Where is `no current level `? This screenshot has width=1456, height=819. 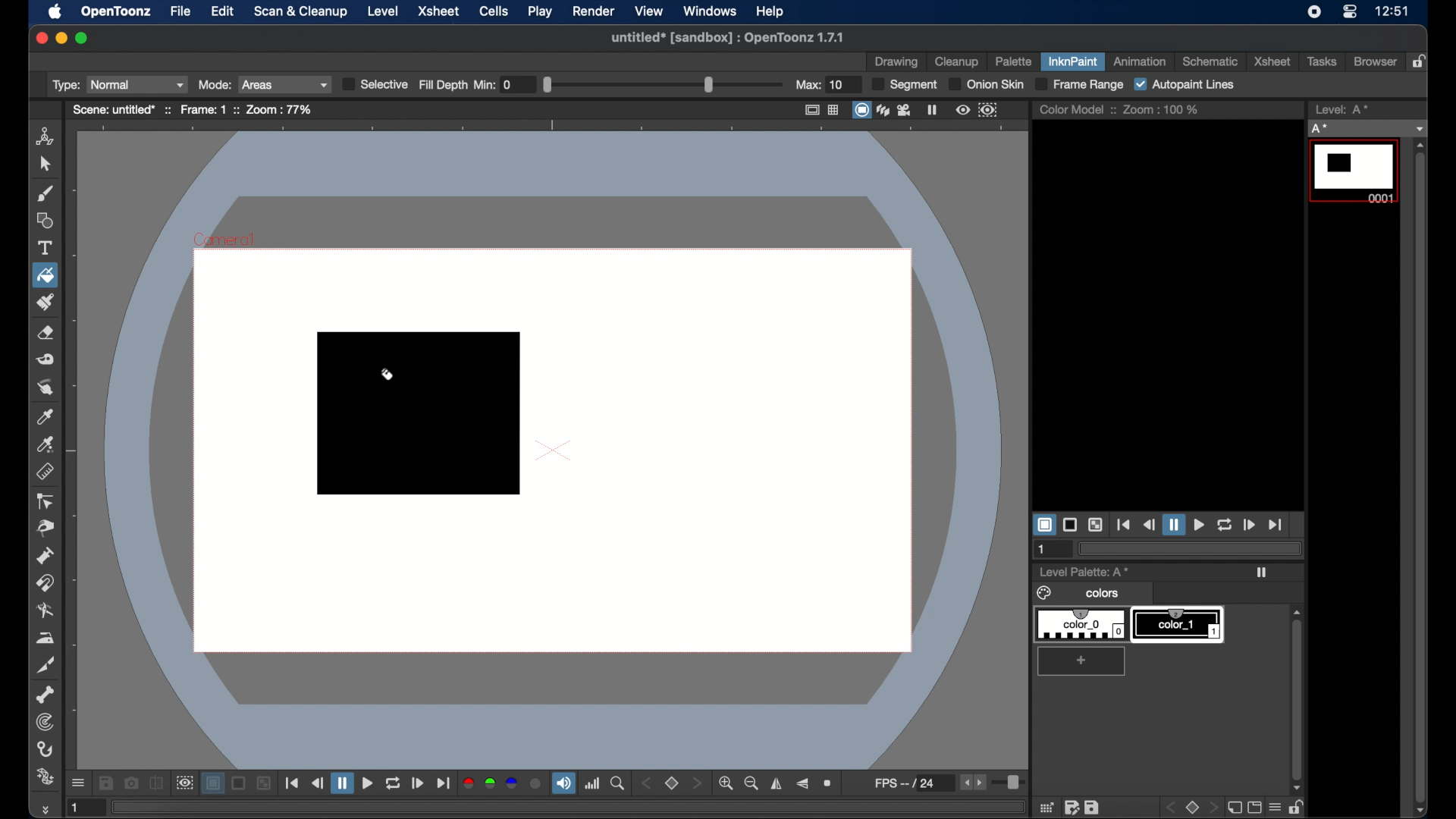
no current level  is located at coordinates (1366, 129).